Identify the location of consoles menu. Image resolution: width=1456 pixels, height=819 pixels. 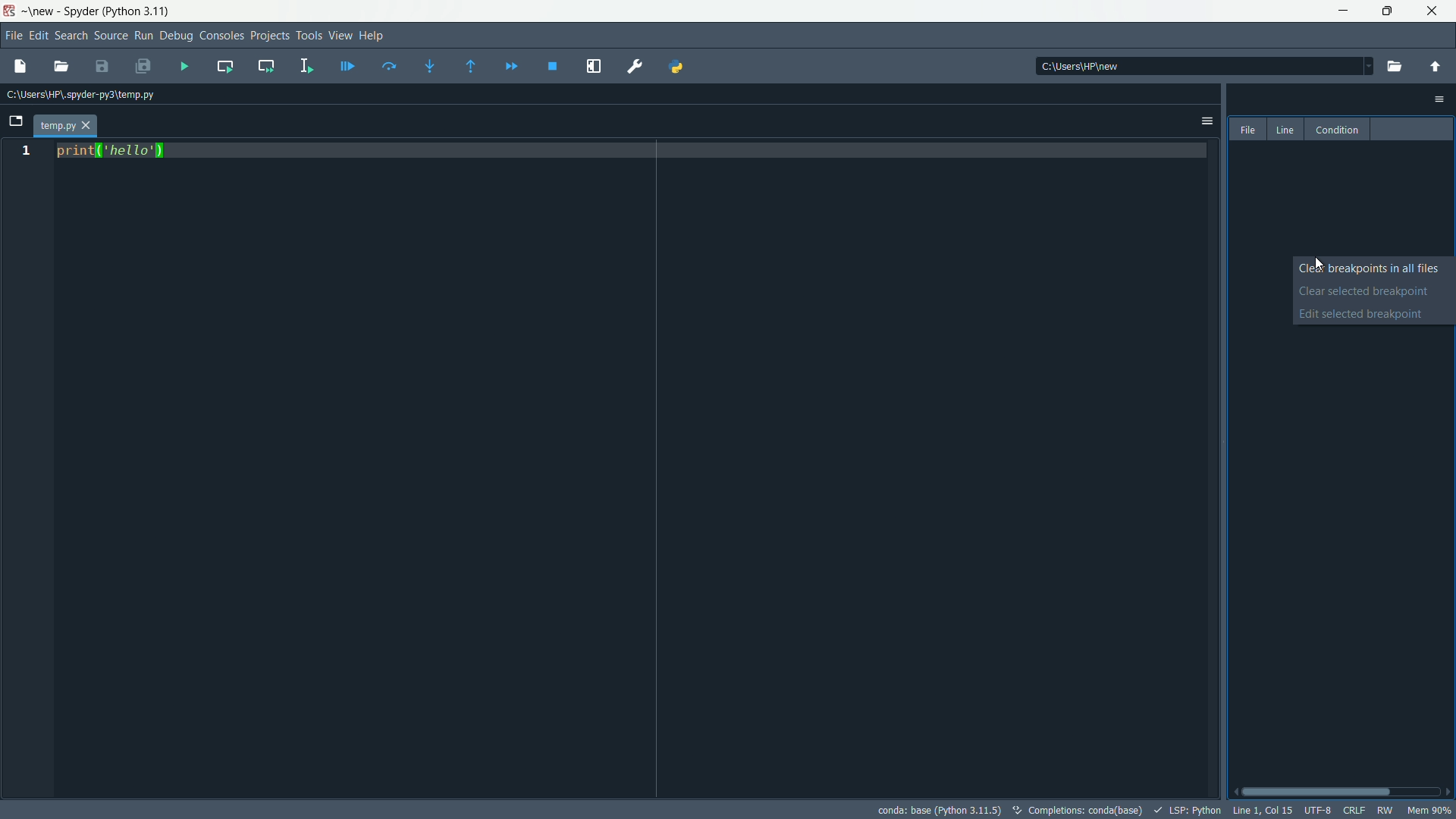
(221, 36).